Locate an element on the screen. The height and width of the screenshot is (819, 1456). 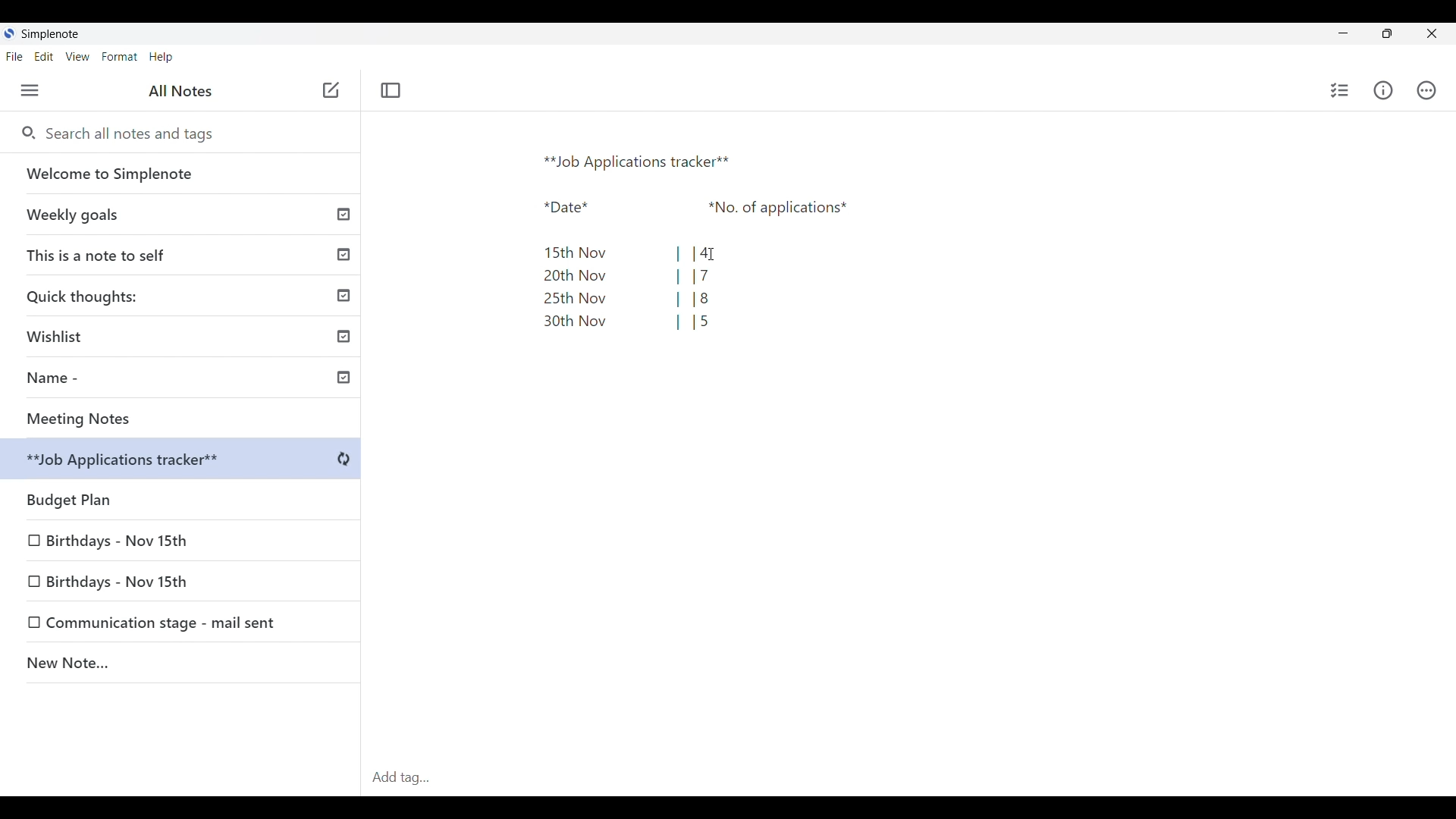
Format is located at coordinates (120, 57).